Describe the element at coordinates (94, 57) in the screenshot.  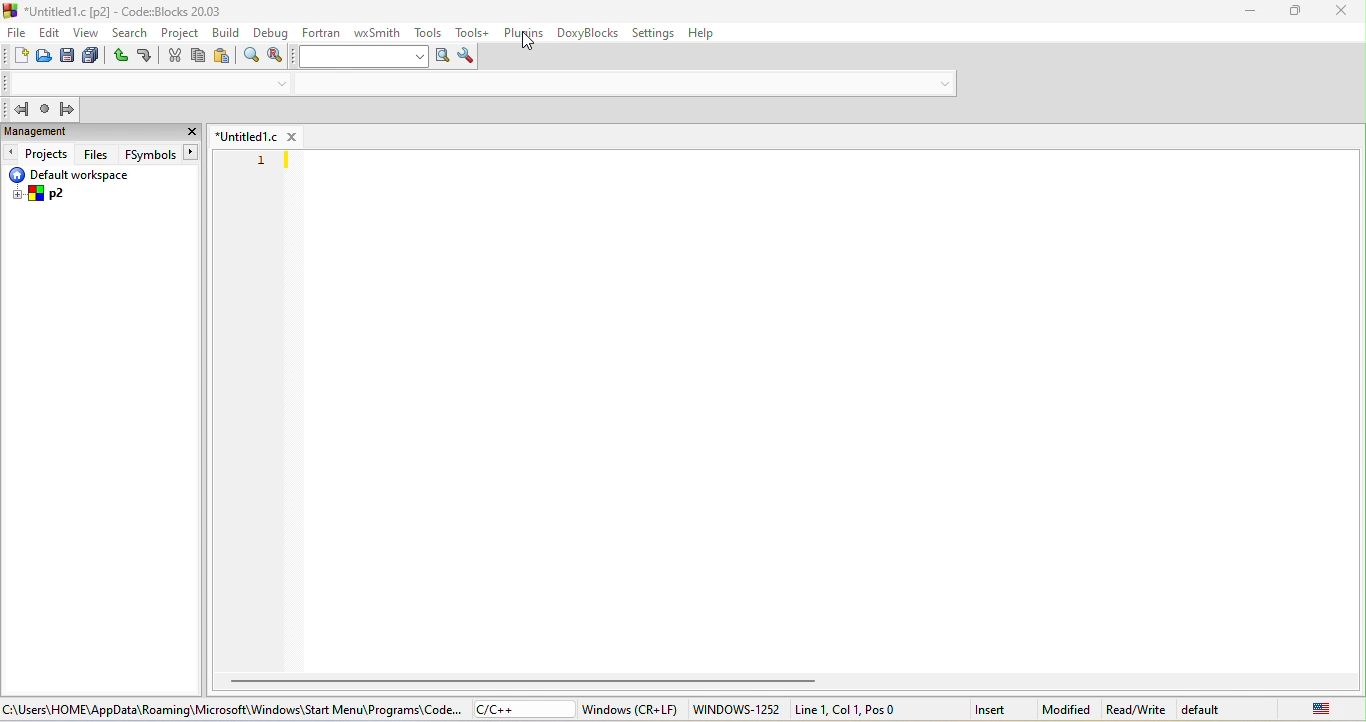
I see `save everything` at that location.